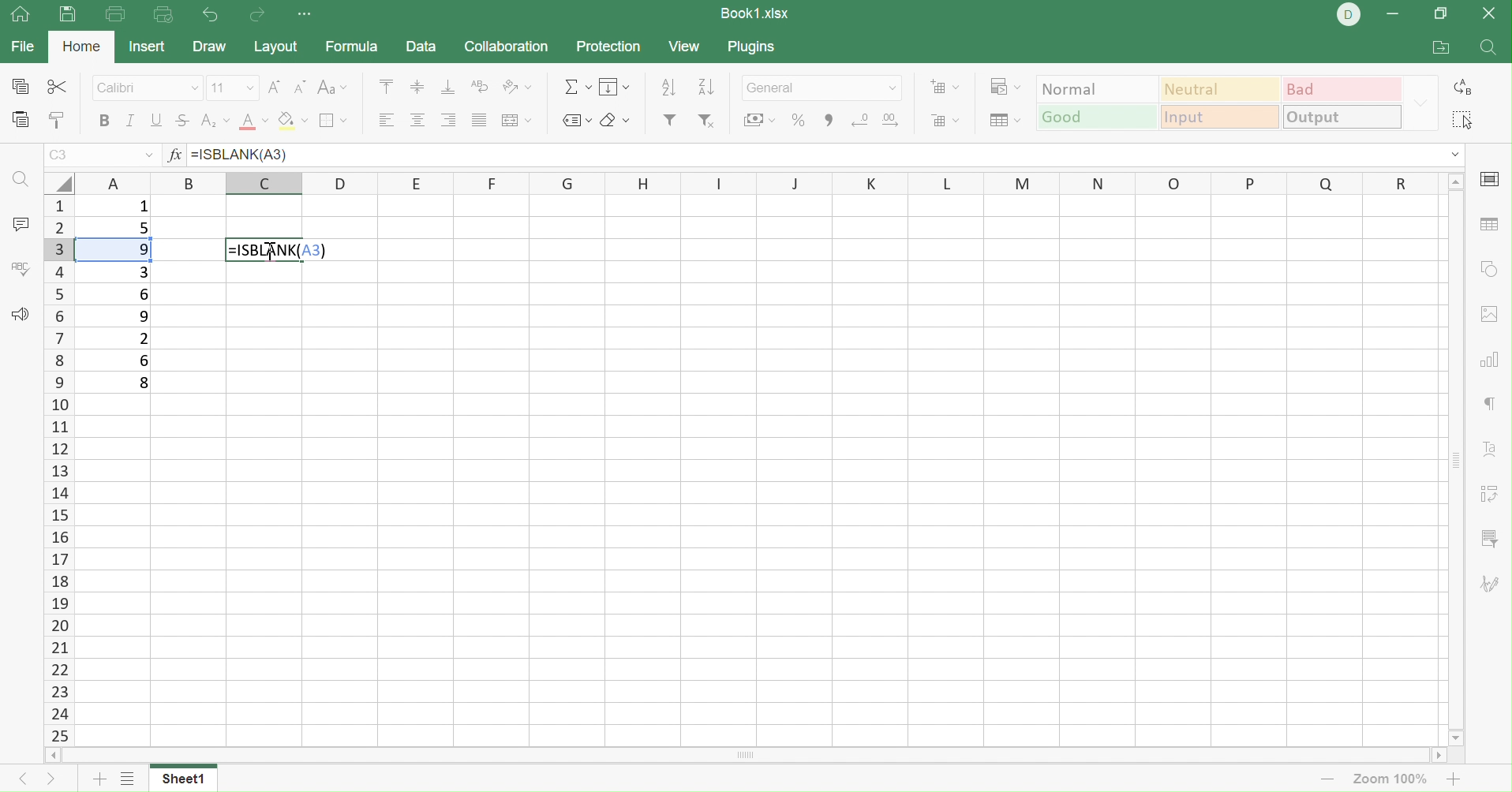  Describe the element at coordinates (17, 783) in the screenshot. I see `Previous` at that location.